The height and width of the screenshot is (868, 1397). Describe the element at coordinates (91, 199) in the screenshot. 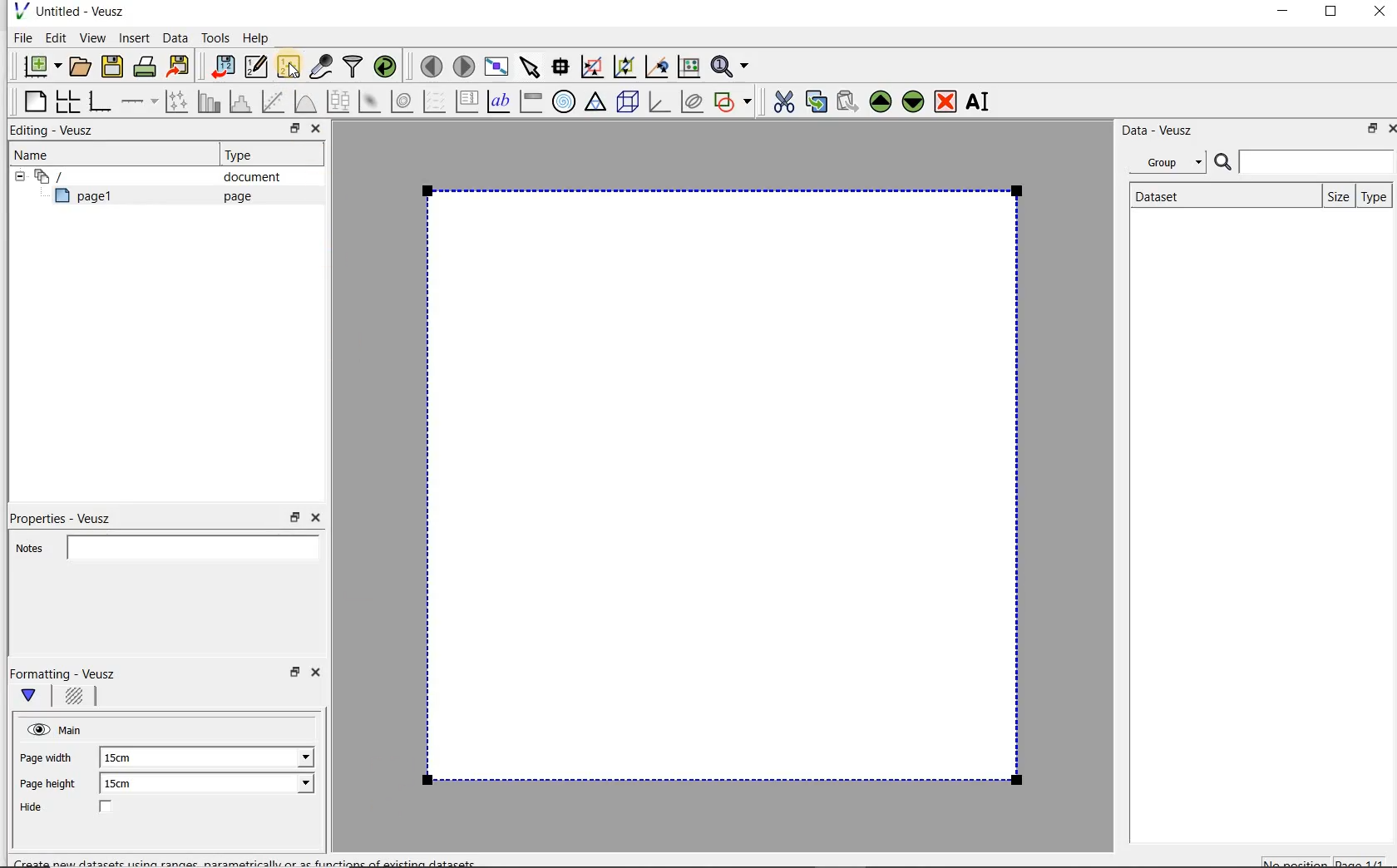

I see `page1` at that location.